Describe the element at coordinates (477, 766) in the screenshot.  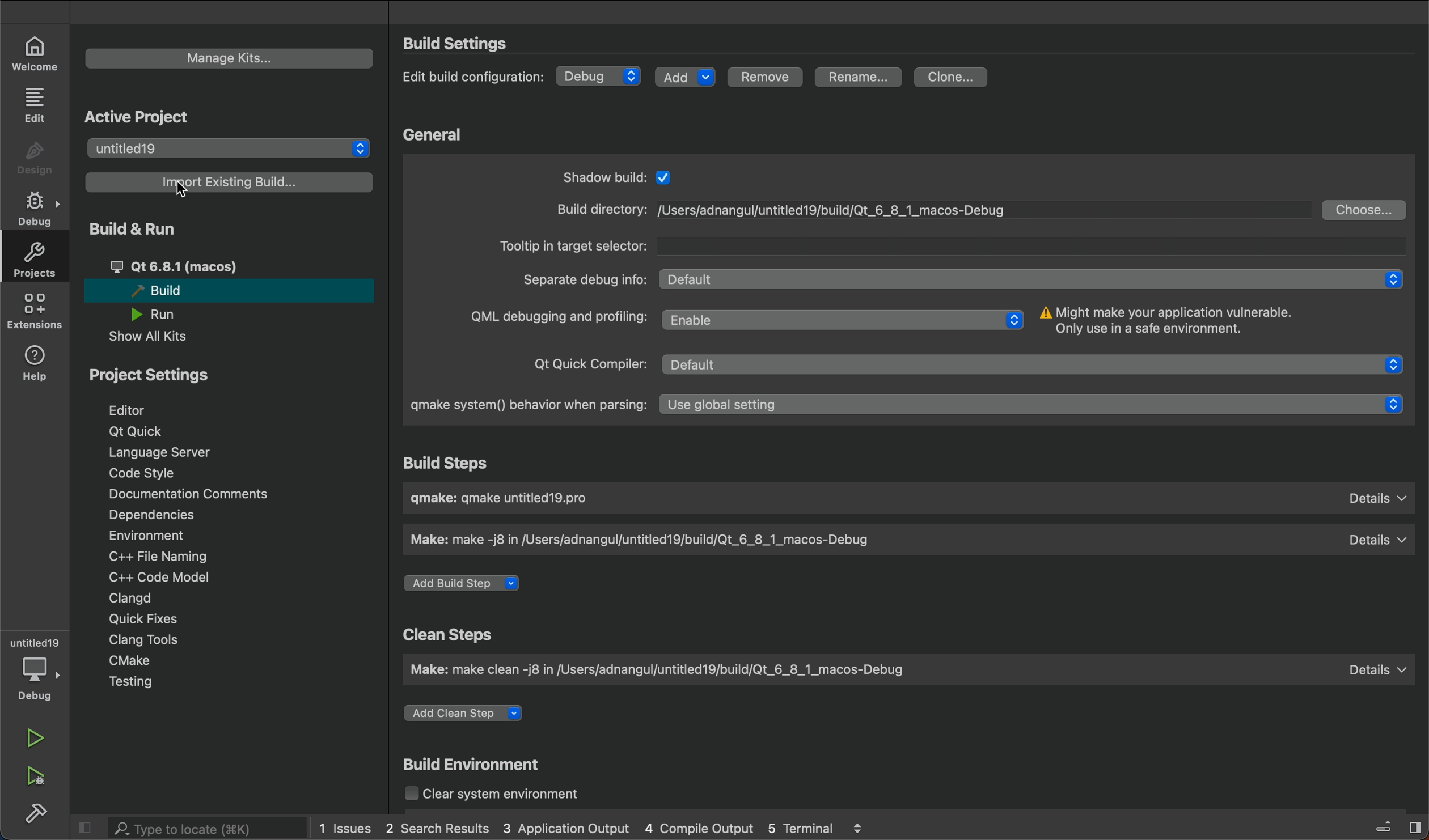
I see `build environment ` at that location.